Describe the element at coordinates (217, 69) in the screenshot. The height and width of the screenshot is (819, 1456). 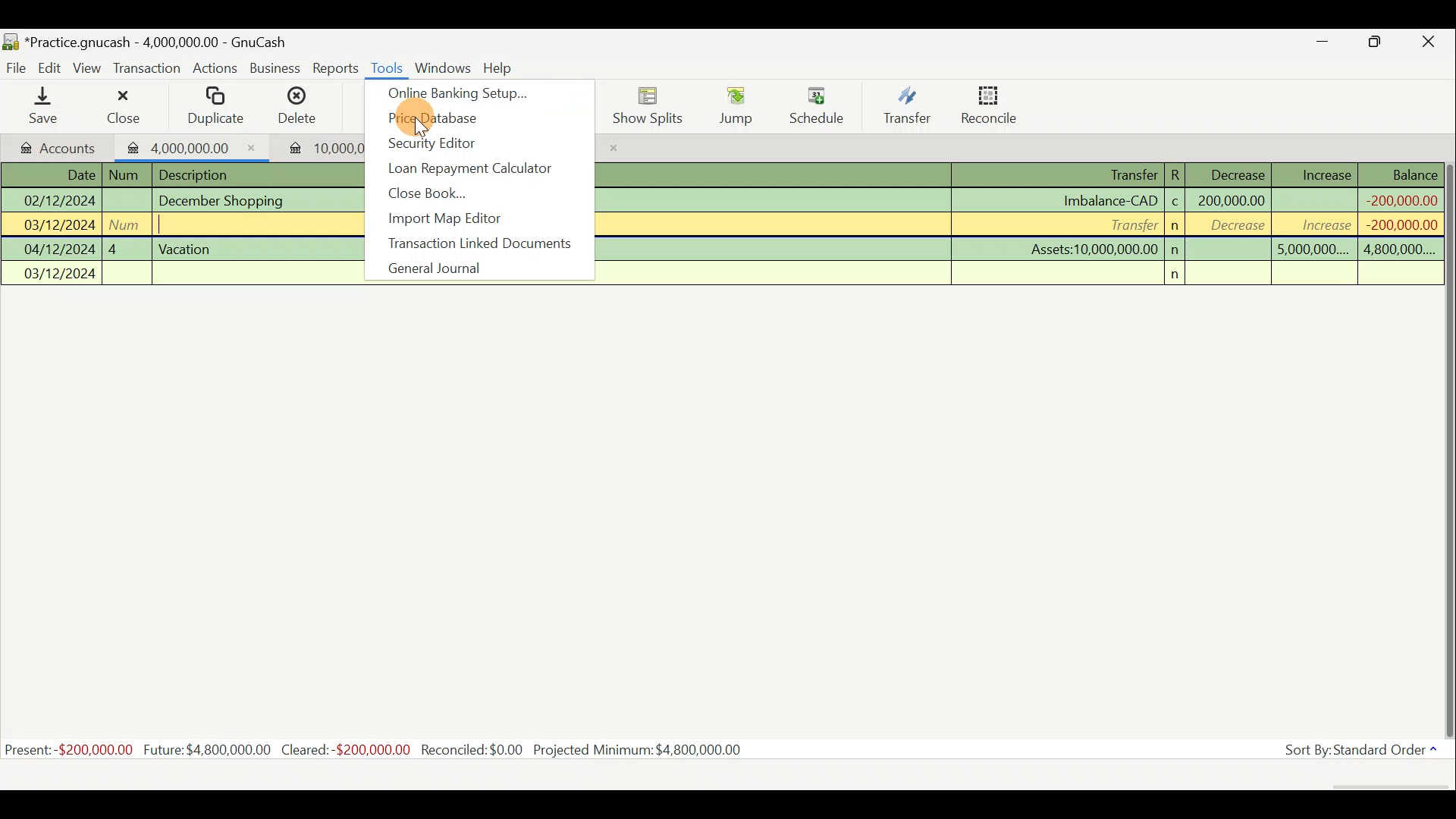
I see `Actions` at that location.